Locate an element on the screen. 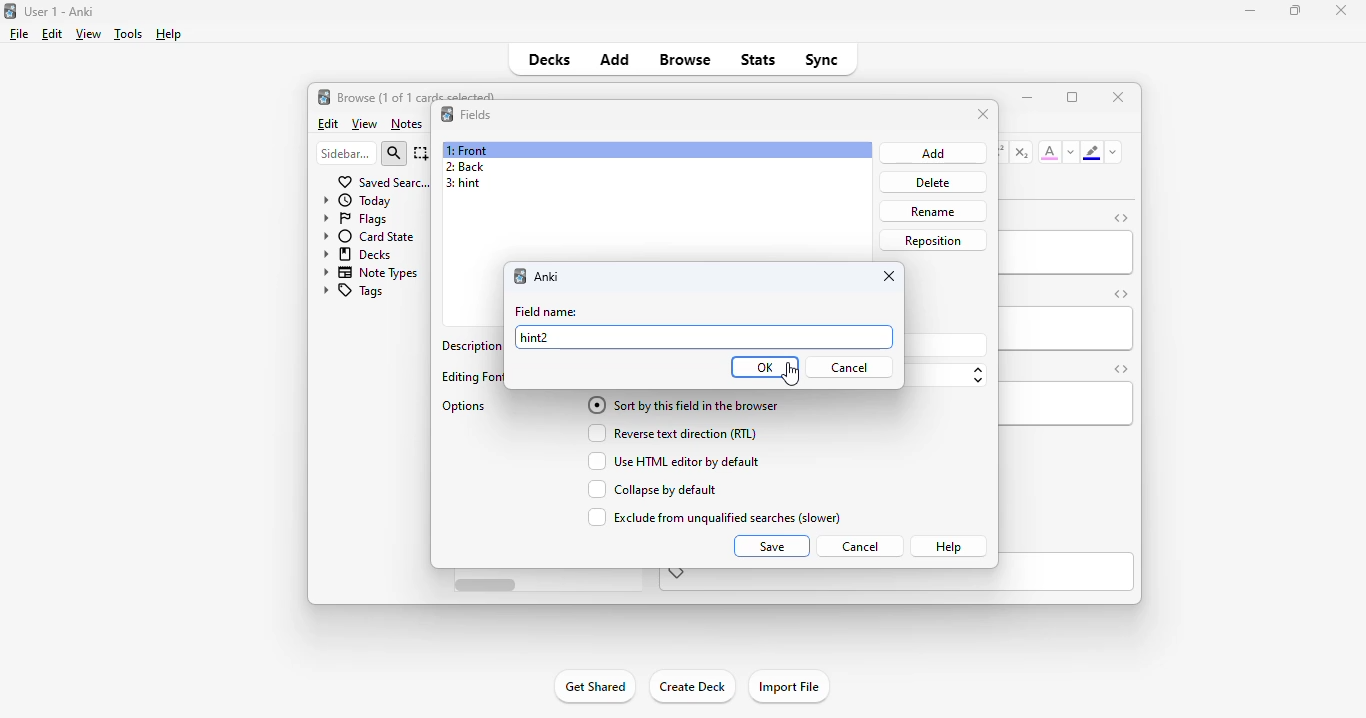 The width and height of the screenshot is (1366, 718). flags is located at coordinates (353, 218).